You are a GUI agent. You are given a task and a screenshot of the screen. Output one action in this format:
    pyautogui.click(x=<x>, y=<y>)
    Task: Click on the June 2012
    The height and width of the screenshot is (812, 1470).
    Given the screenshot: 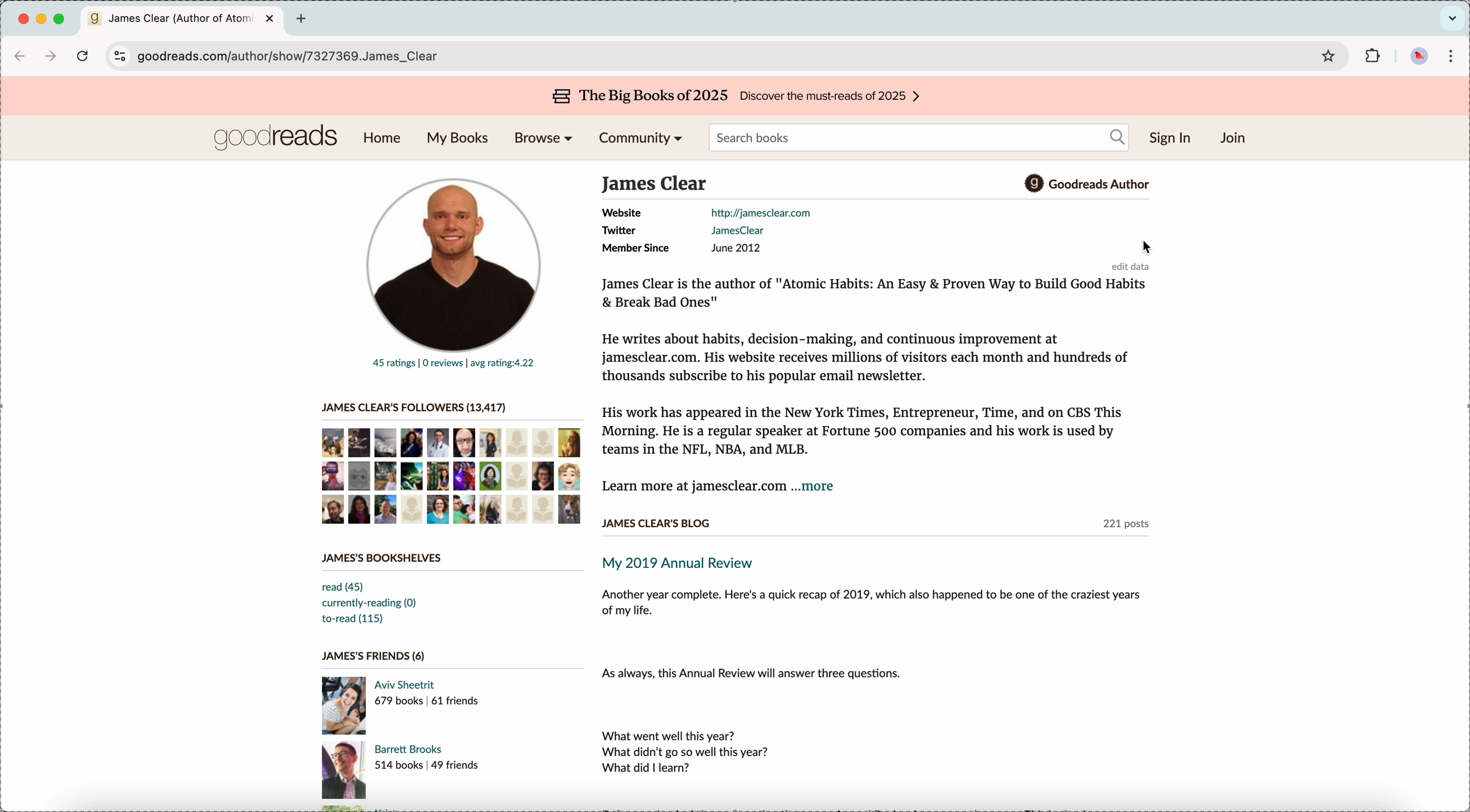 What is the action you would take?
    pyautogui.click(x=737, y=248)
    